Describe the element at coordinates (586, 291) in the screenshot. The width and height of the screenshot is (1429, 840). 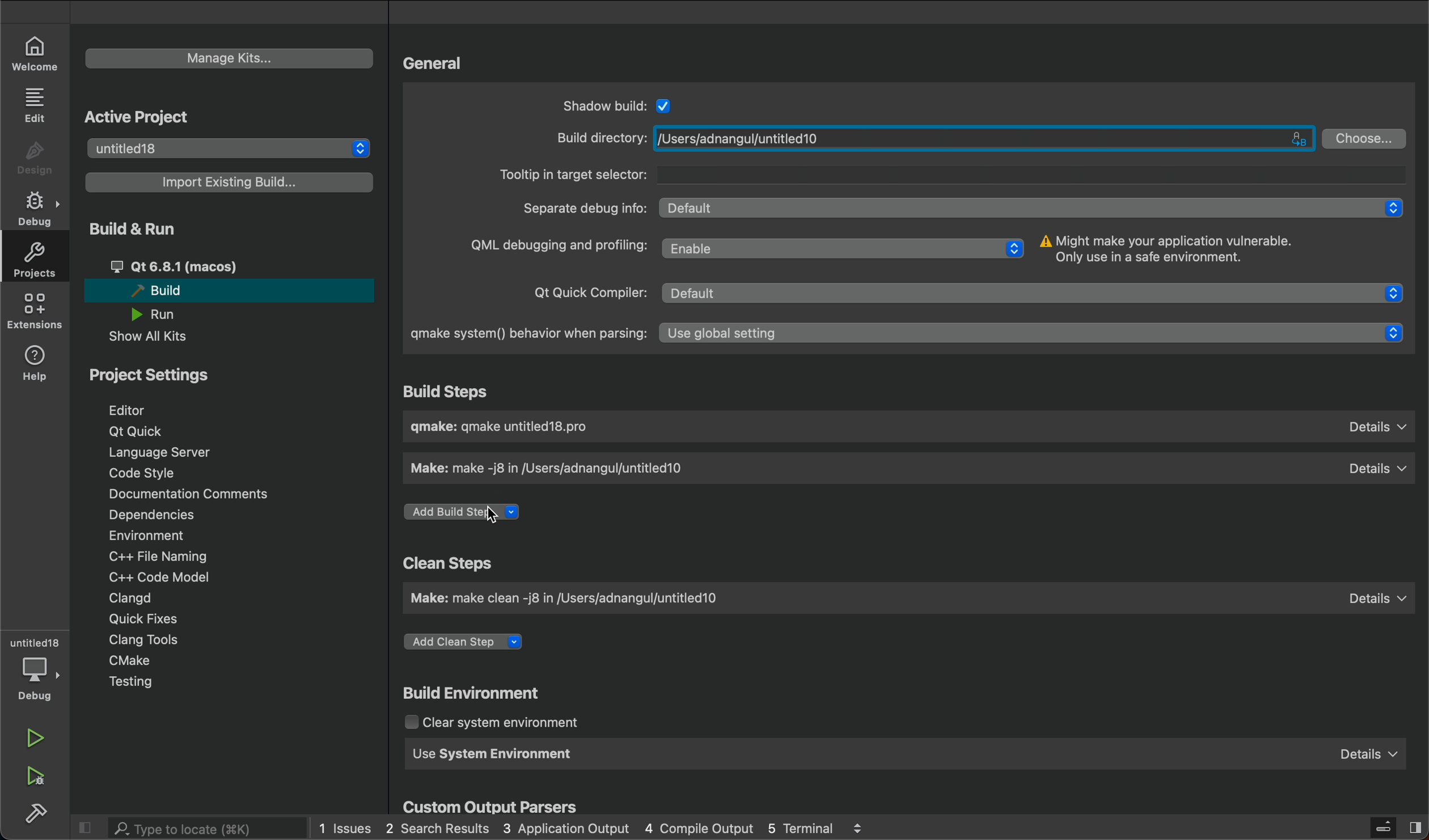
I see `Qt Quick Compiler:` at that location.